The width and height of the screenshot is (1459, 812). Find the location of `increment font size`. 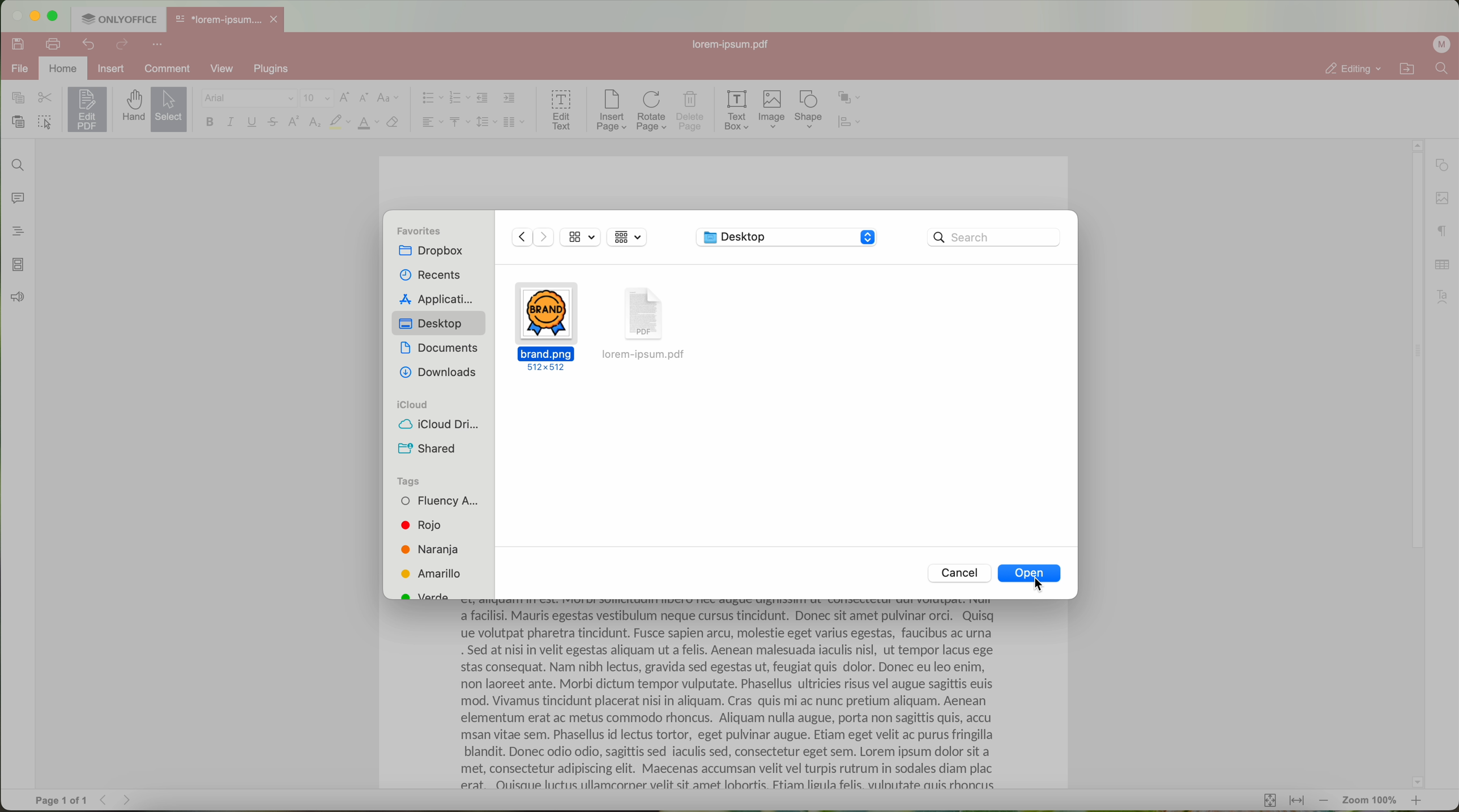

increment font size is located at coordinates (344, 97).